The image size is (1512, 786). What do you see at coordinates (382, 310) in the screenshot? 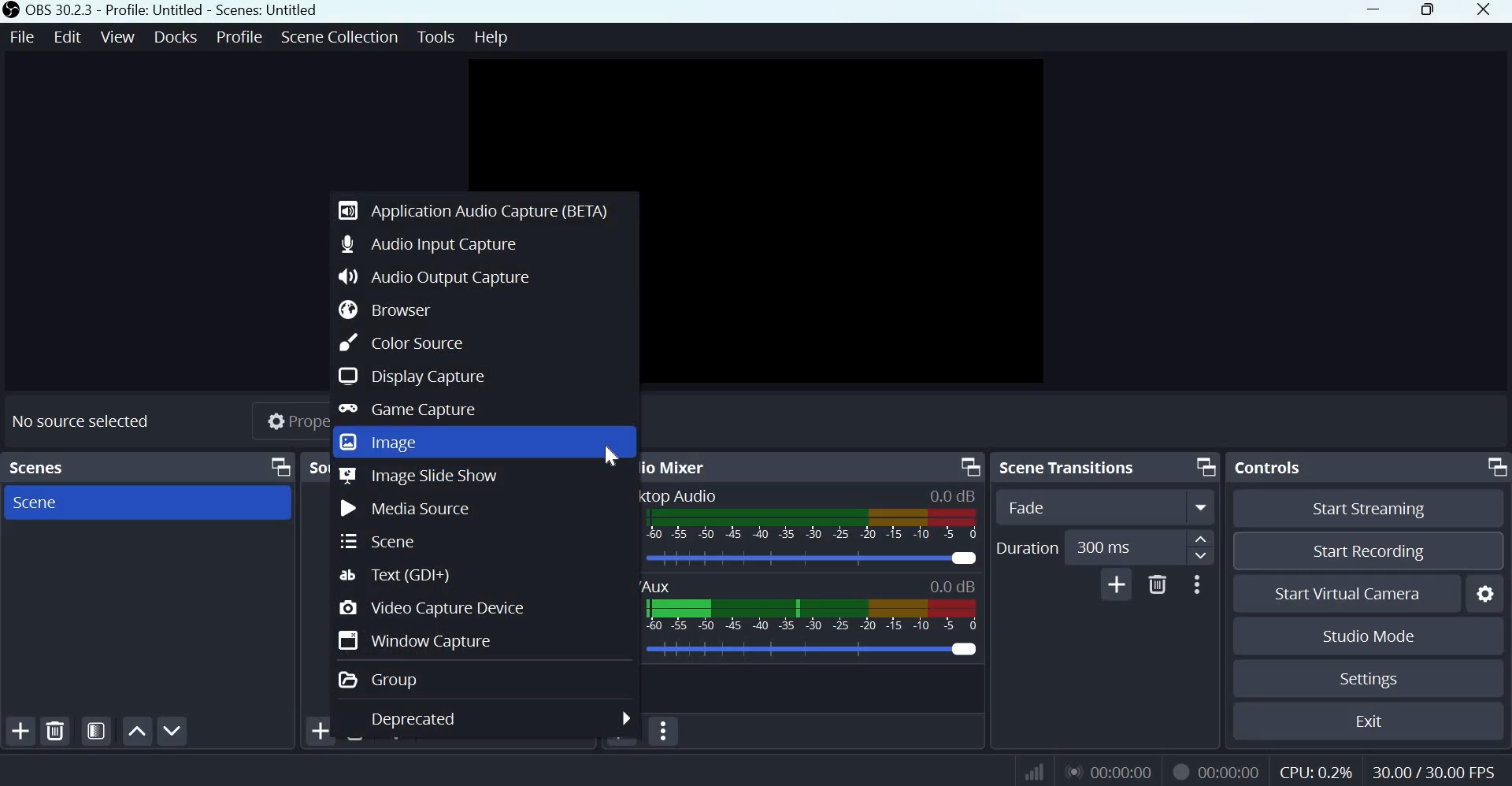
I see `Browser` at bounding box center [382, 310].